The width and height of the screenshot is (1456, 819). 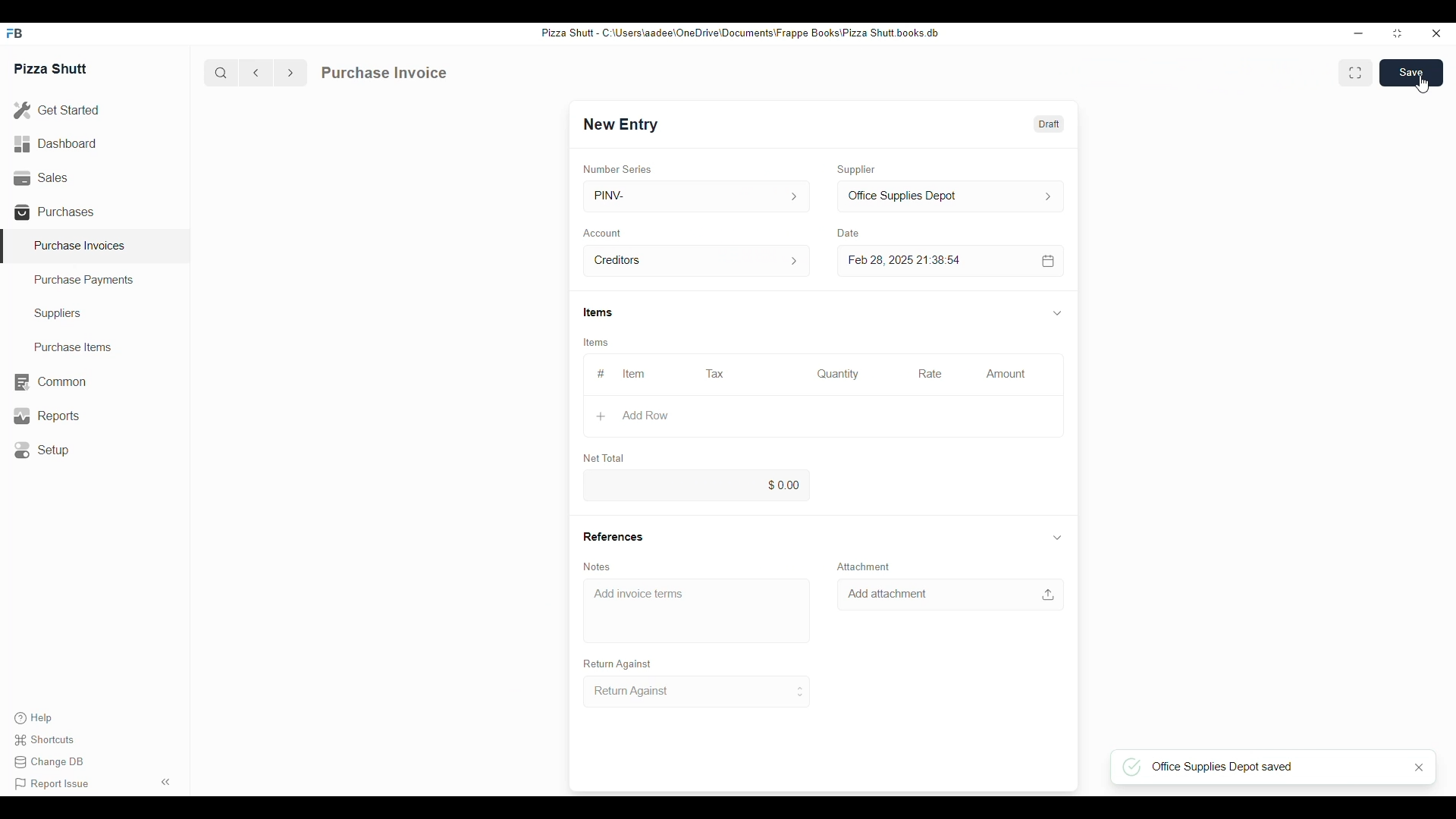 What do you see at coordinates (597, 344) in the screenshot?
I see `Items` at bounding box center [597, 344].